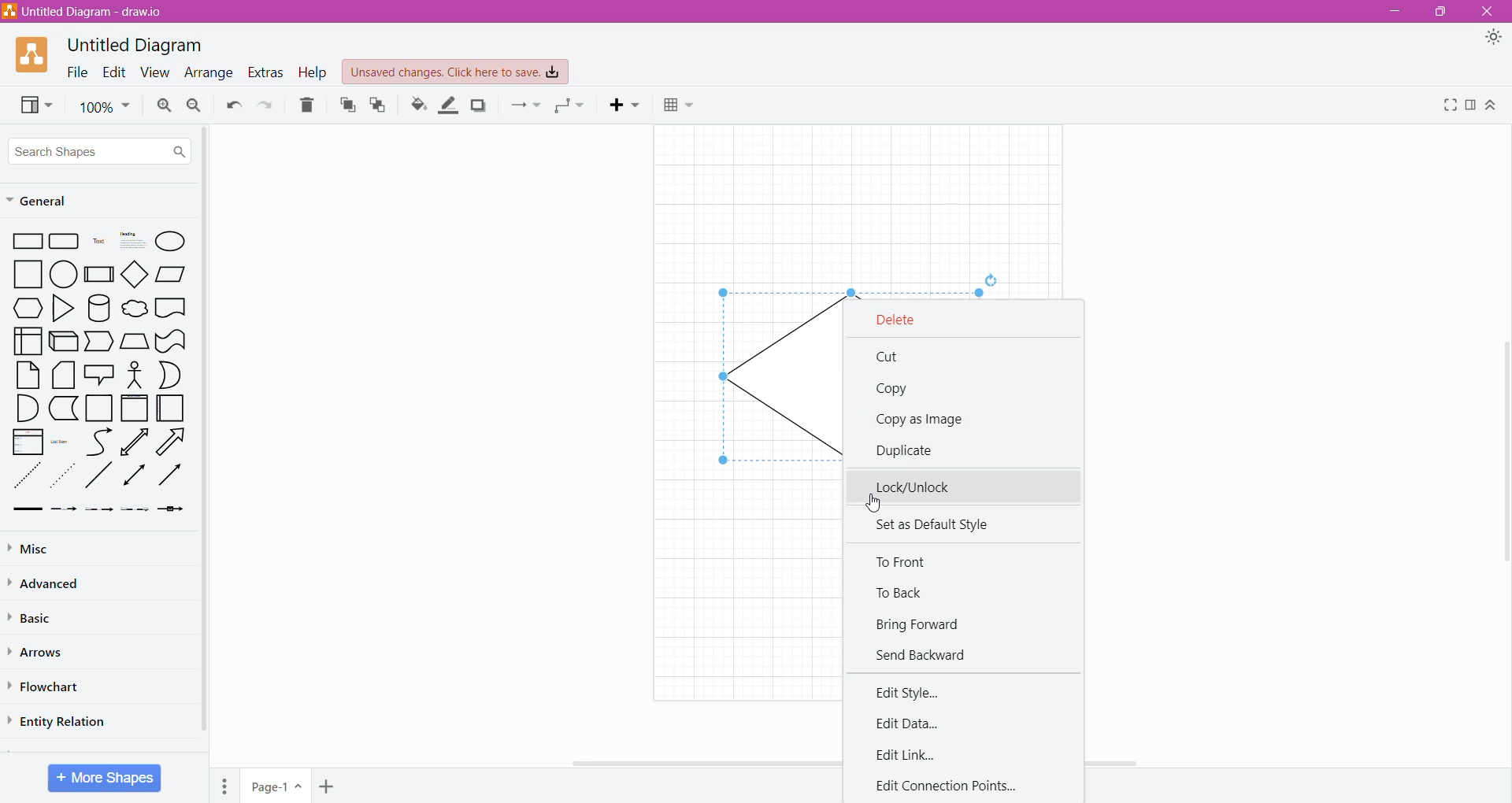 The image size is (1512, 803). I want to click on Misc, so click(49, 550).